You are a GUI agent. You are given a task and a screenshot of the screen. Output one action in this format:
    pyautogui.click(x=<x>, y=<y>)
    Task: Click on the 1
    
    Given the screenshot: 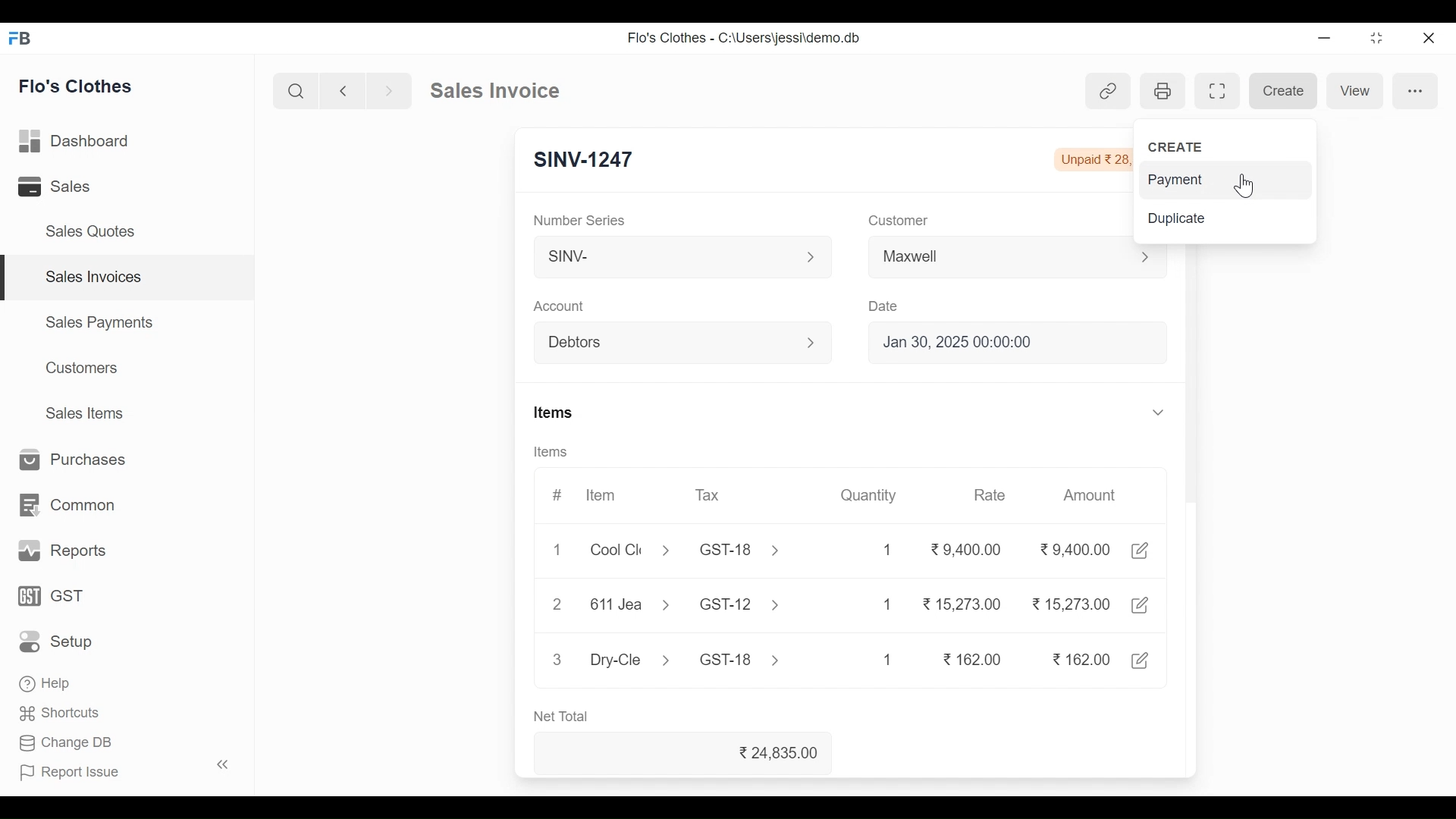 What is the action you would take?
    pyautogui.click(x=887, y=659)
    